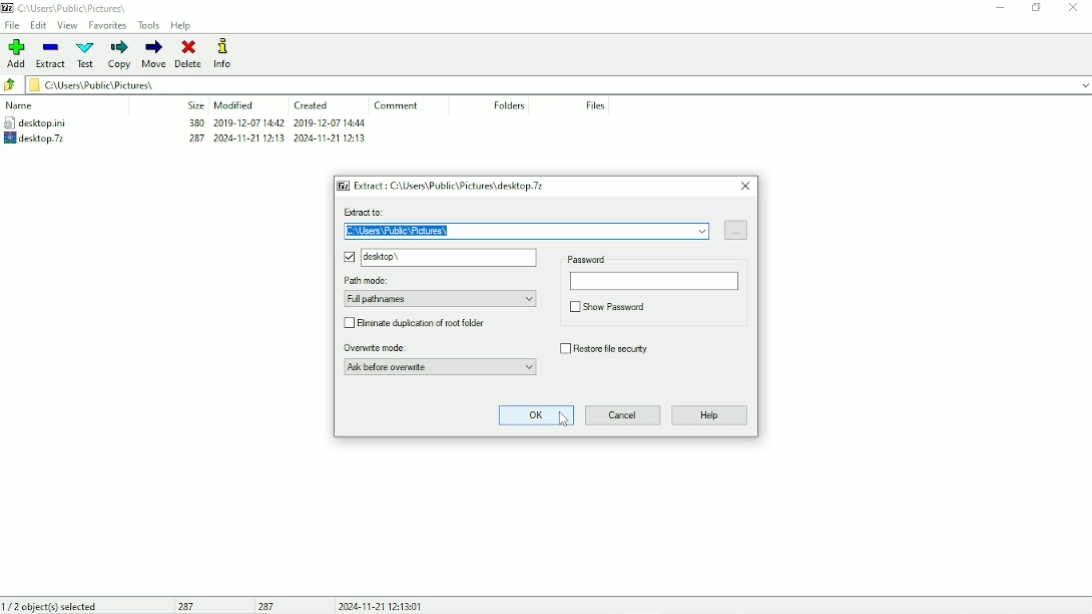 This screenshot has height=614, width=1092. Describe the element at coordinates (1035, 8) in the screenshot. I see `Restore down` at that location.